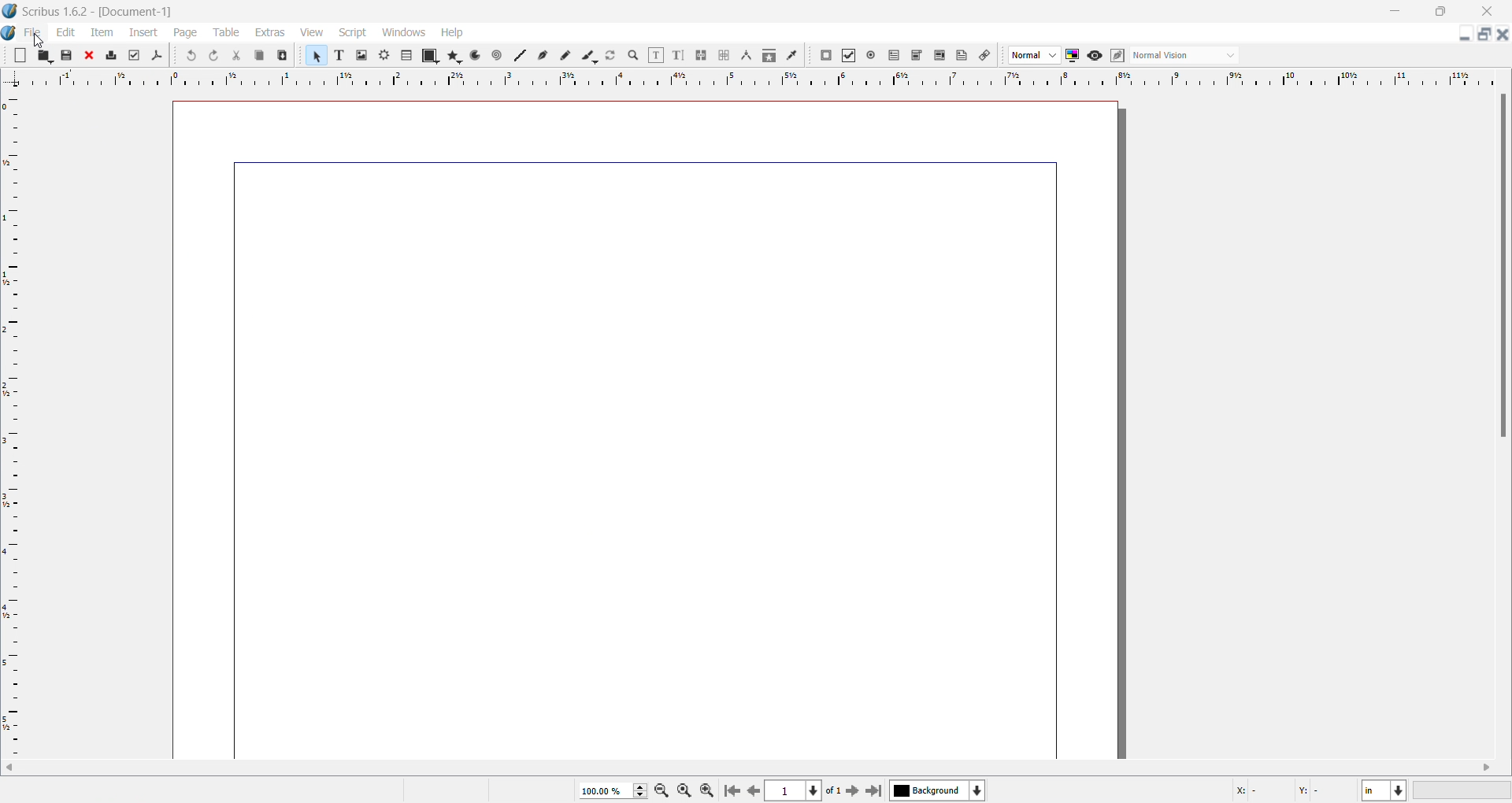 This screenshot has width=1512, height=803. Describe the element at coordinates (673, 57) in the screenshot. I see `icon` at that location.